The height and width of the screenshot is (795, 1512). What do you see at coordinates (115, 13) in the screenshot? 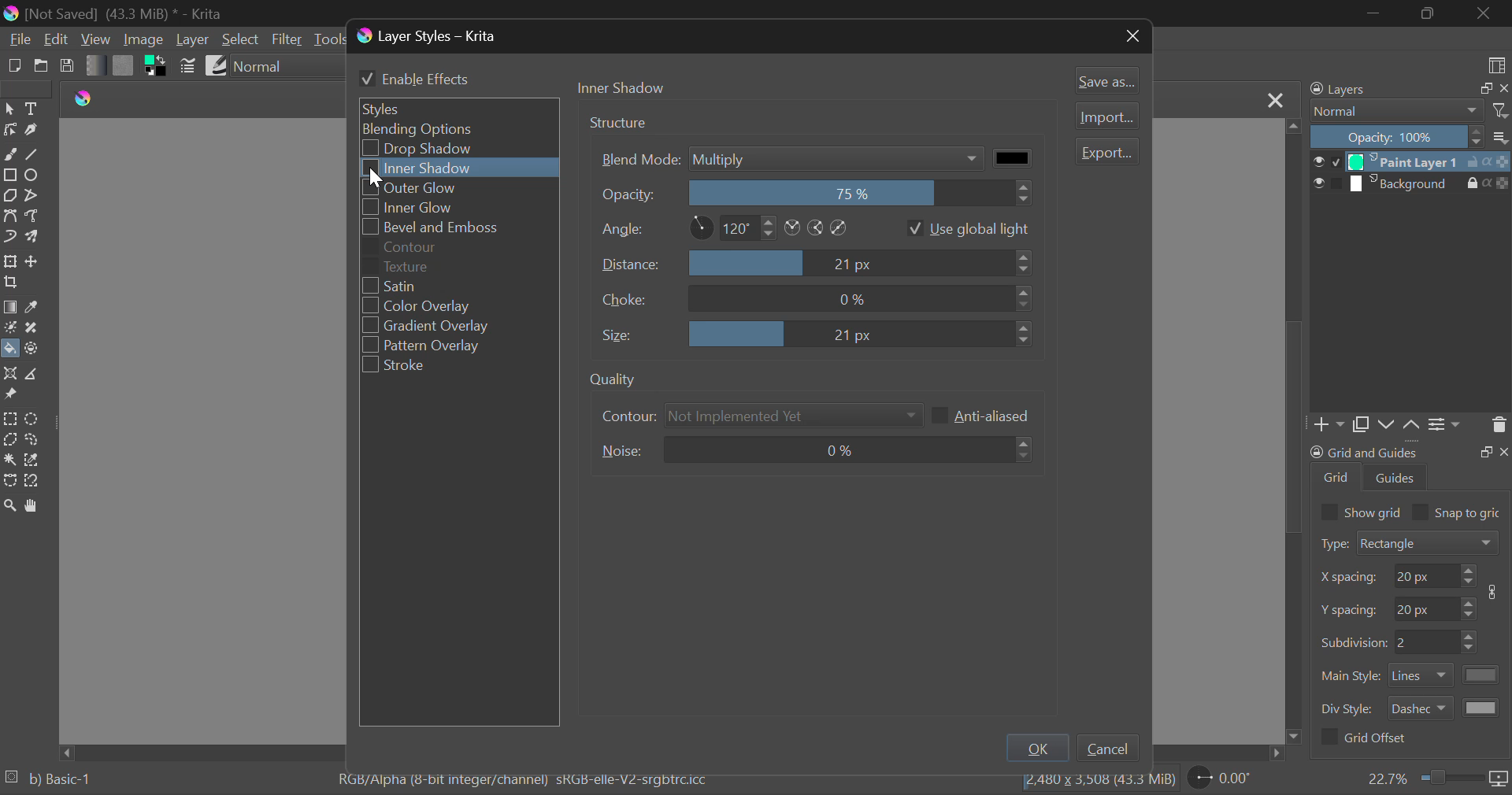
I see `Window Title` at bounding box center [115, 13].